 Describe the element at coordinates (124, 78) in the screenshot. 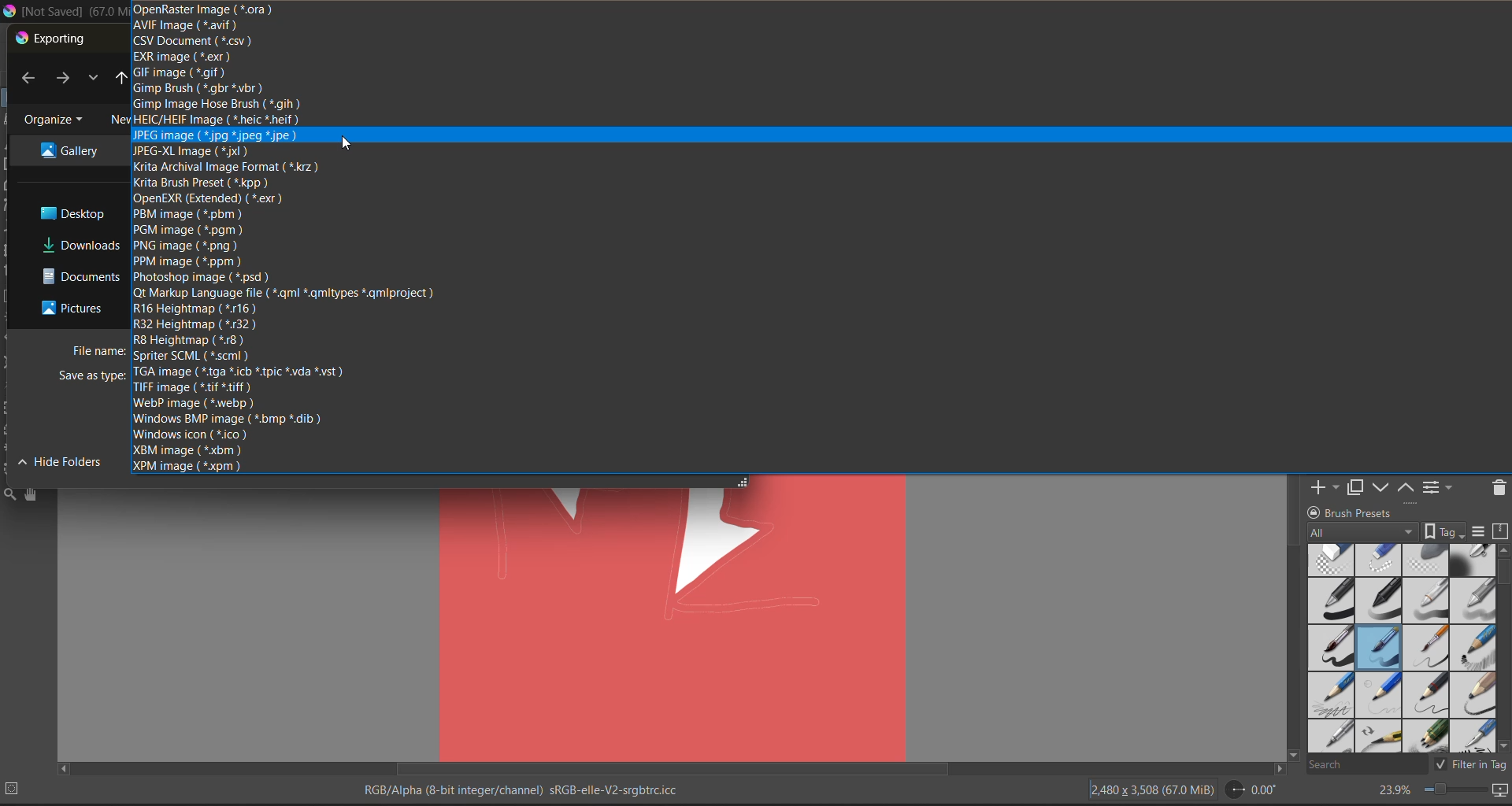

I see `up to desktop` at that location.